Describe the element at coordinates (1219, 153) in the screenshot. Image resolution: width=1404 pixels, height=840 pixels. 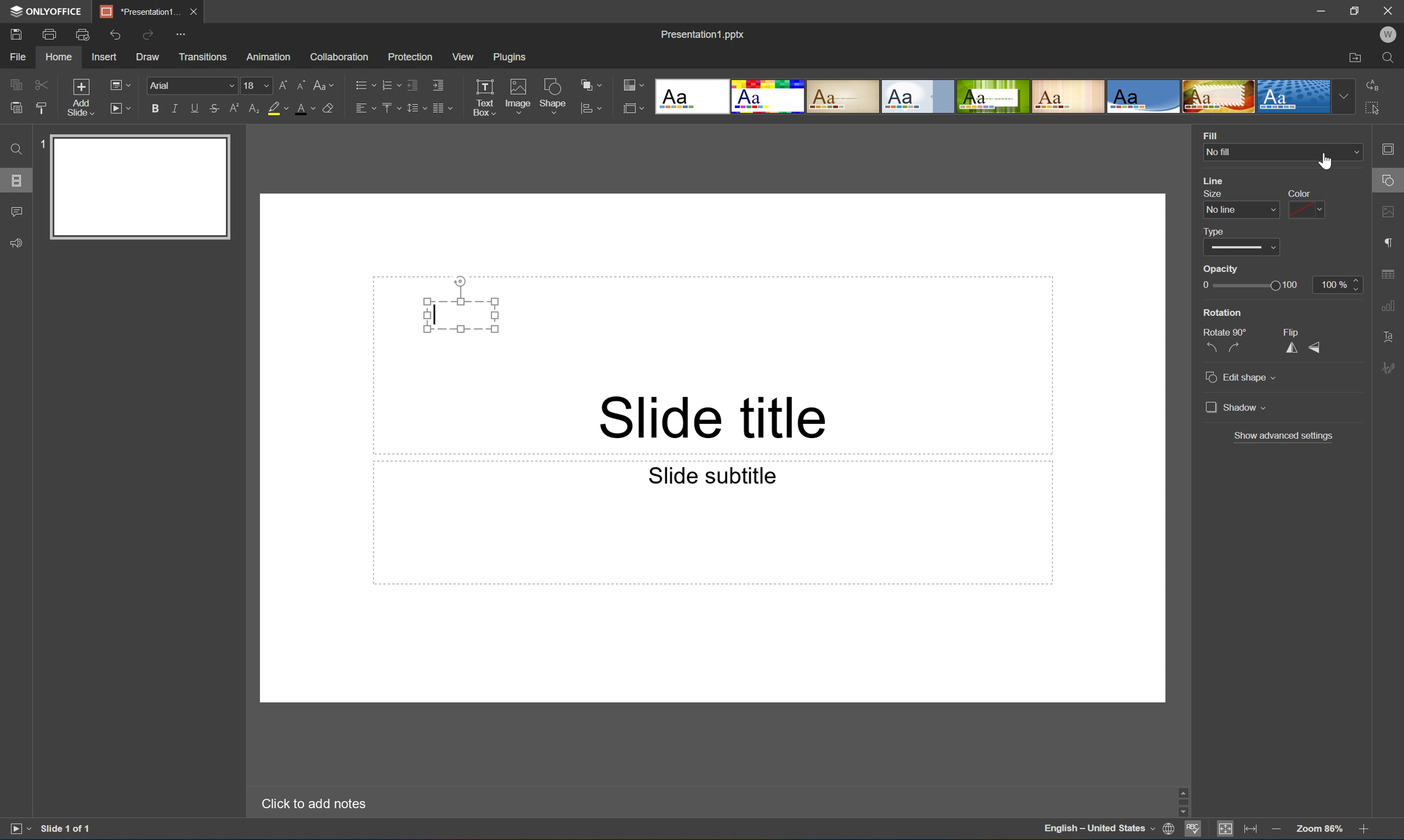
I see `No fill` at that location.